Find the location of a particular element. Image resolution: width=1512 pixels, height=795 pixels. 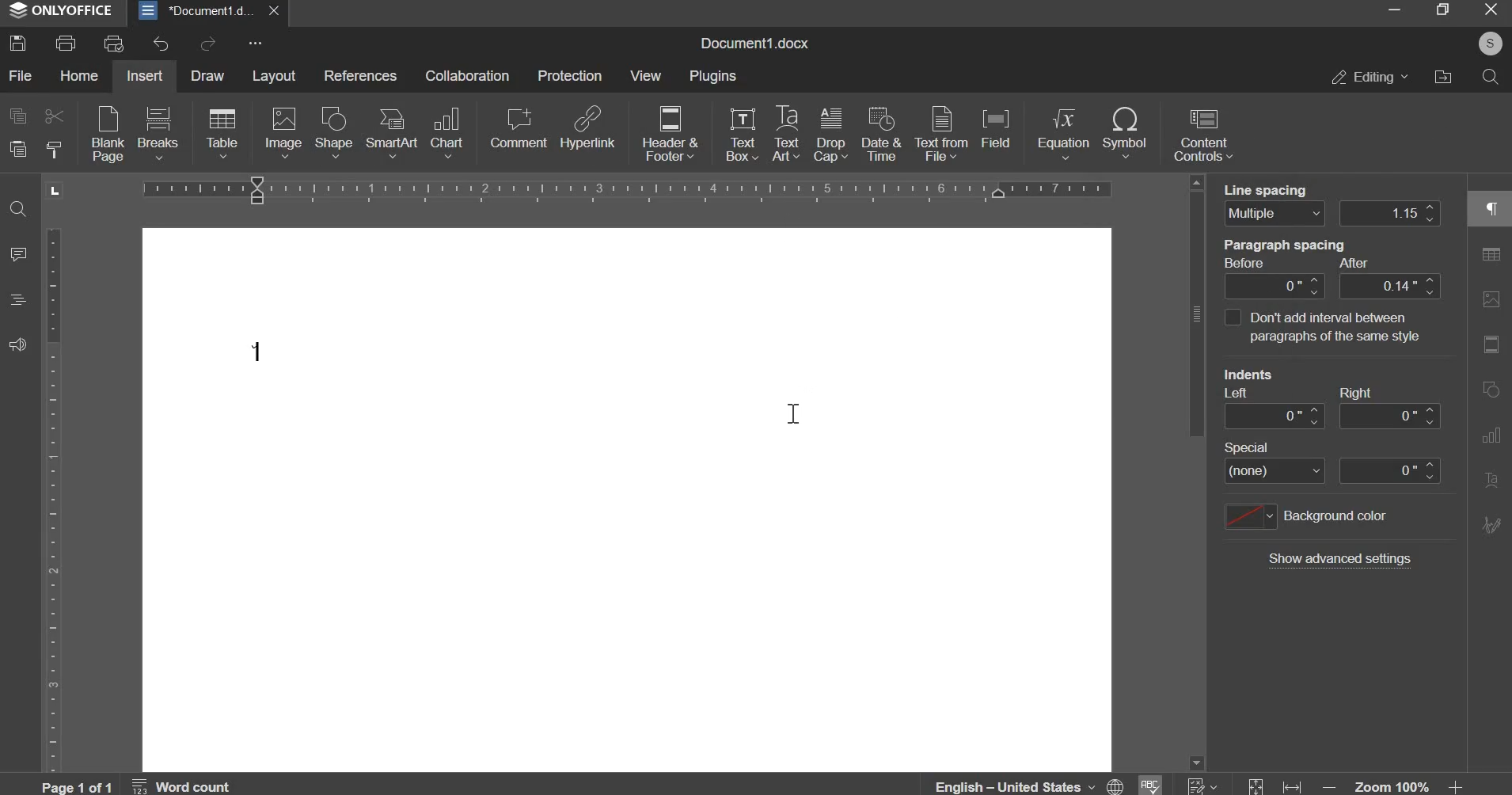

minimize is located at coordinates (1392, 10).